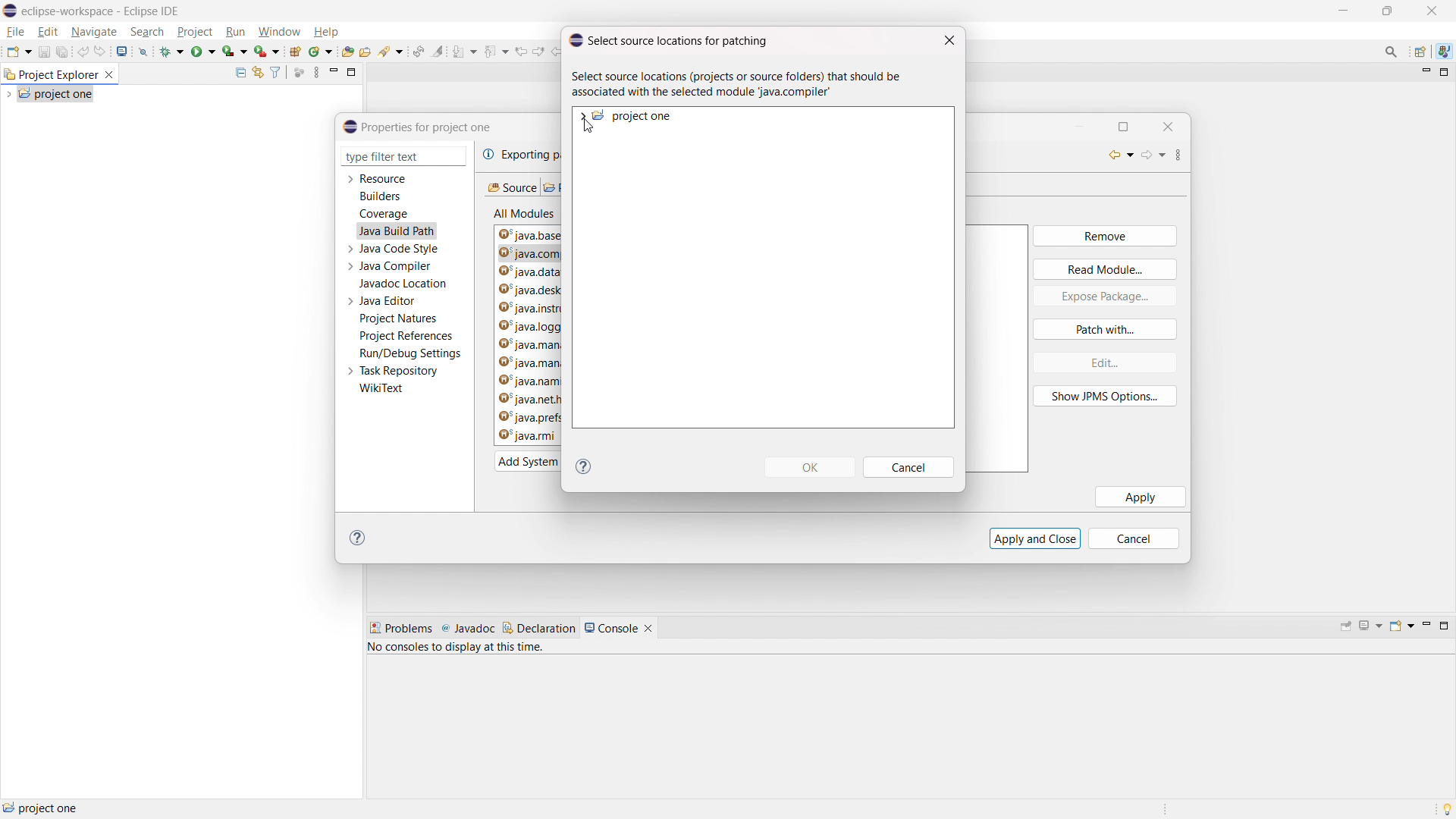 The image size is (1456, 819). What do you see at coordinates (388, 301) in the screenshot?
I see `java editor` at bounding box center [388, 301].